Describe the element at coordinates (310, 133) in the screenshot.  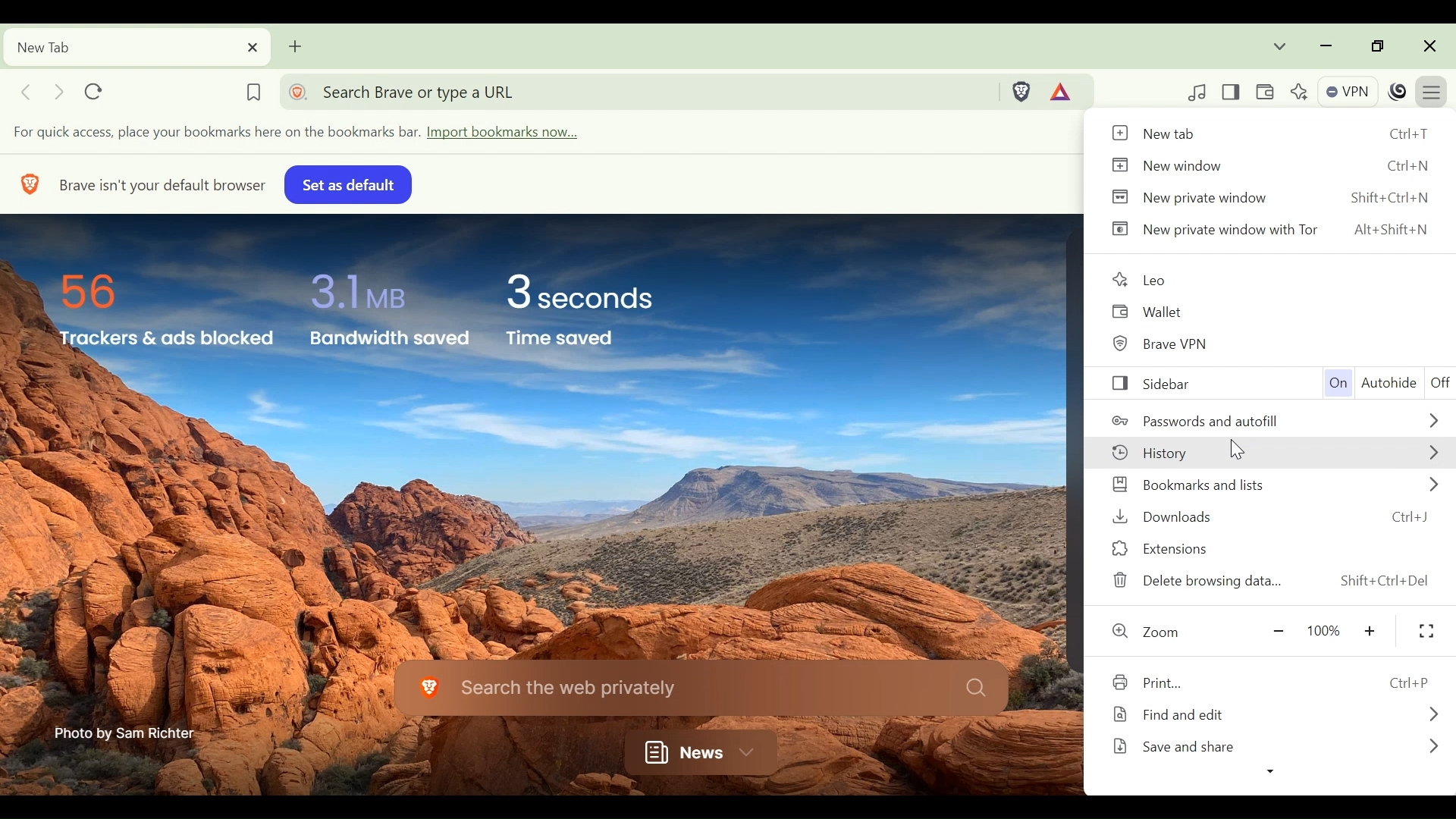
I see `Import bookmarks` at that location.